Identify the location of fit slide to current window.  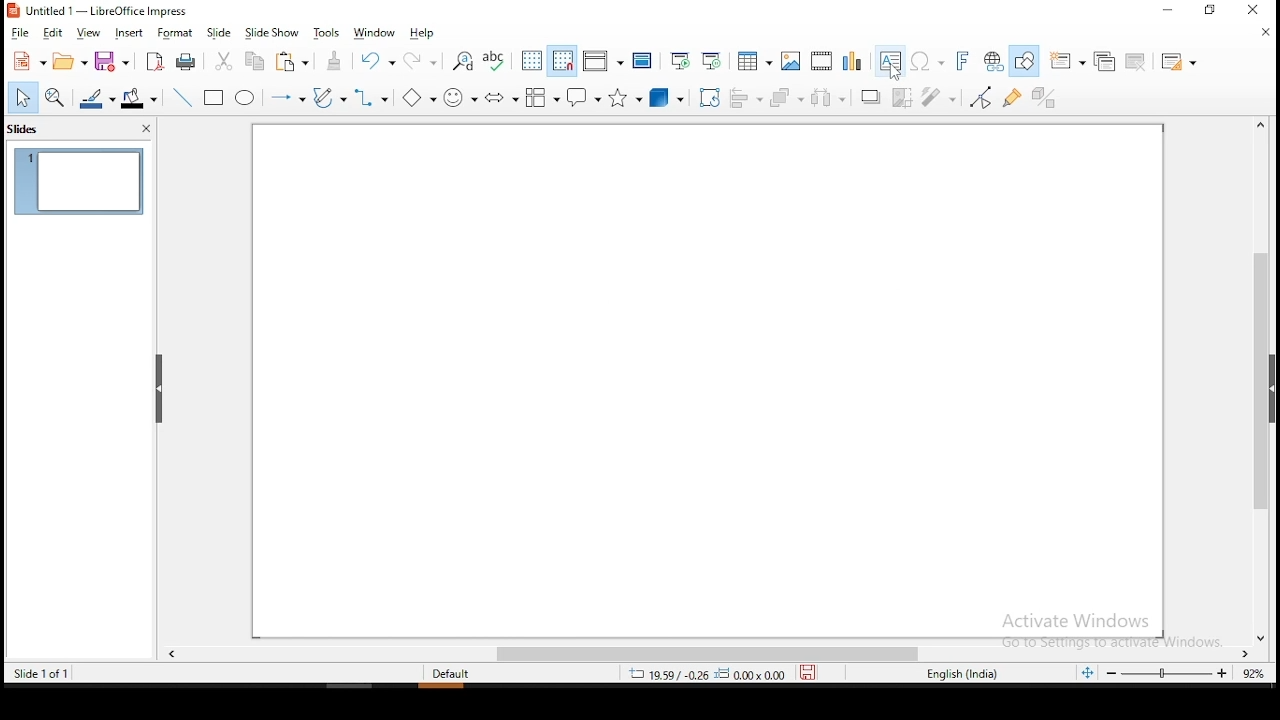
(1087, 672).